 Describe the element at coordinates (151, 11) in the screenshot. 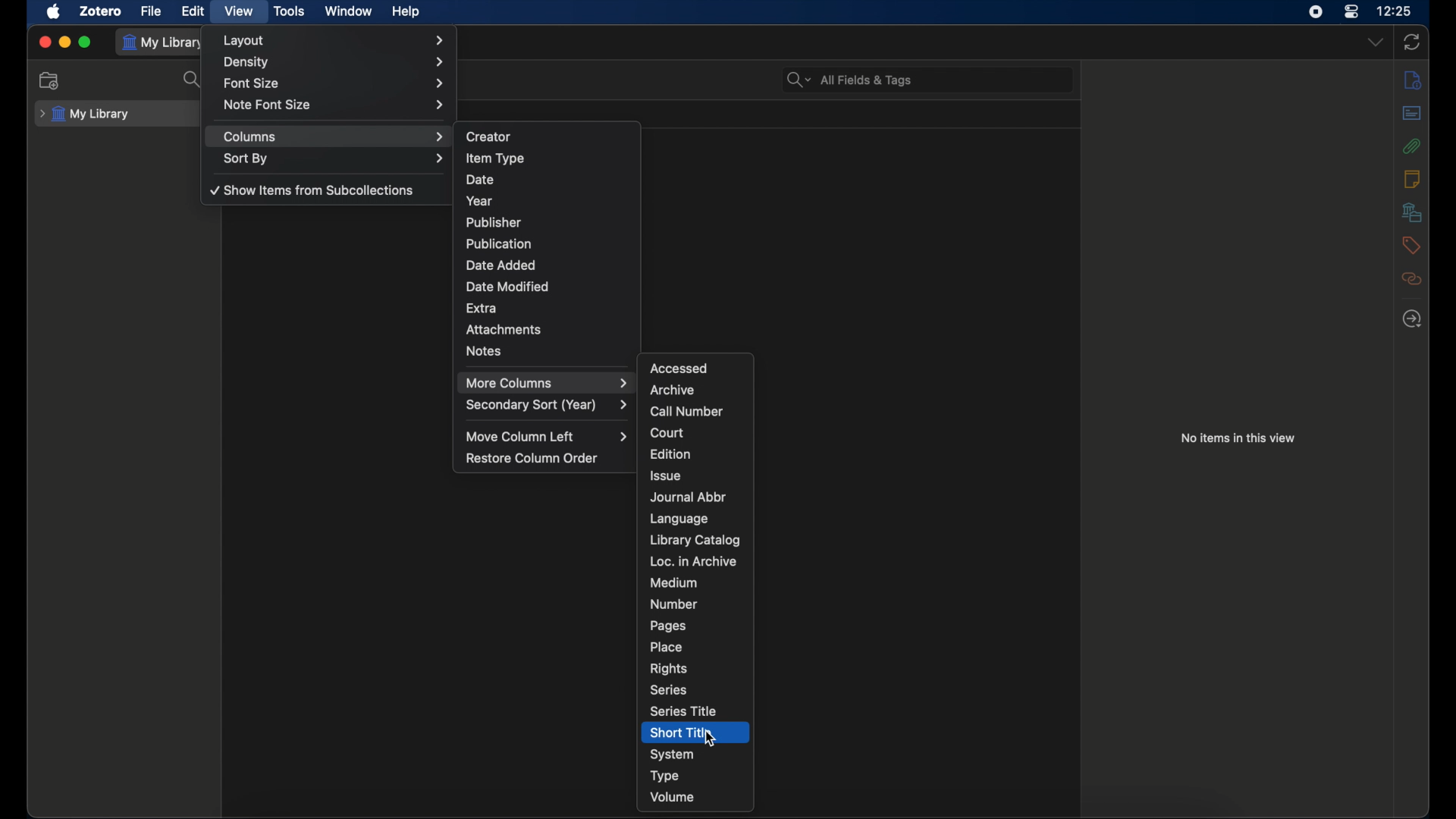

I see `file` at that location.